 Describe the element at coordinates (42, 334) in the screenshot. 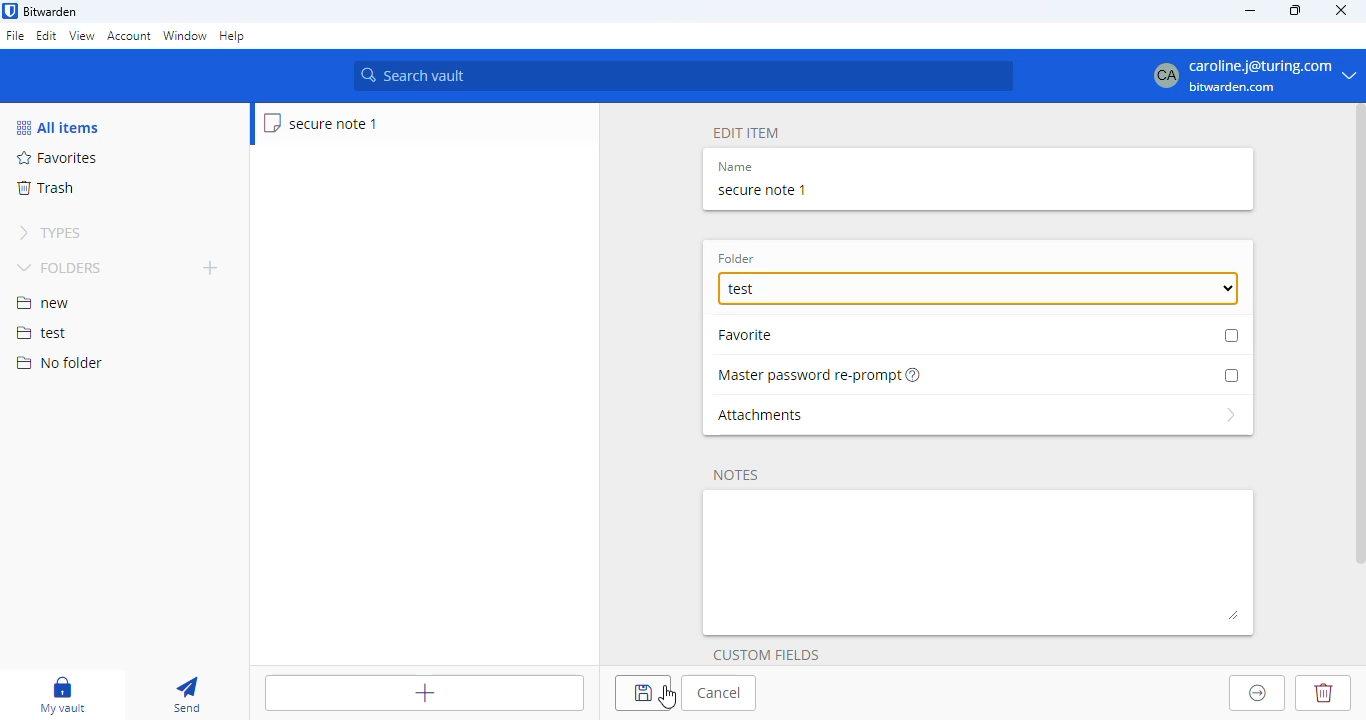

I see `test` at that location.